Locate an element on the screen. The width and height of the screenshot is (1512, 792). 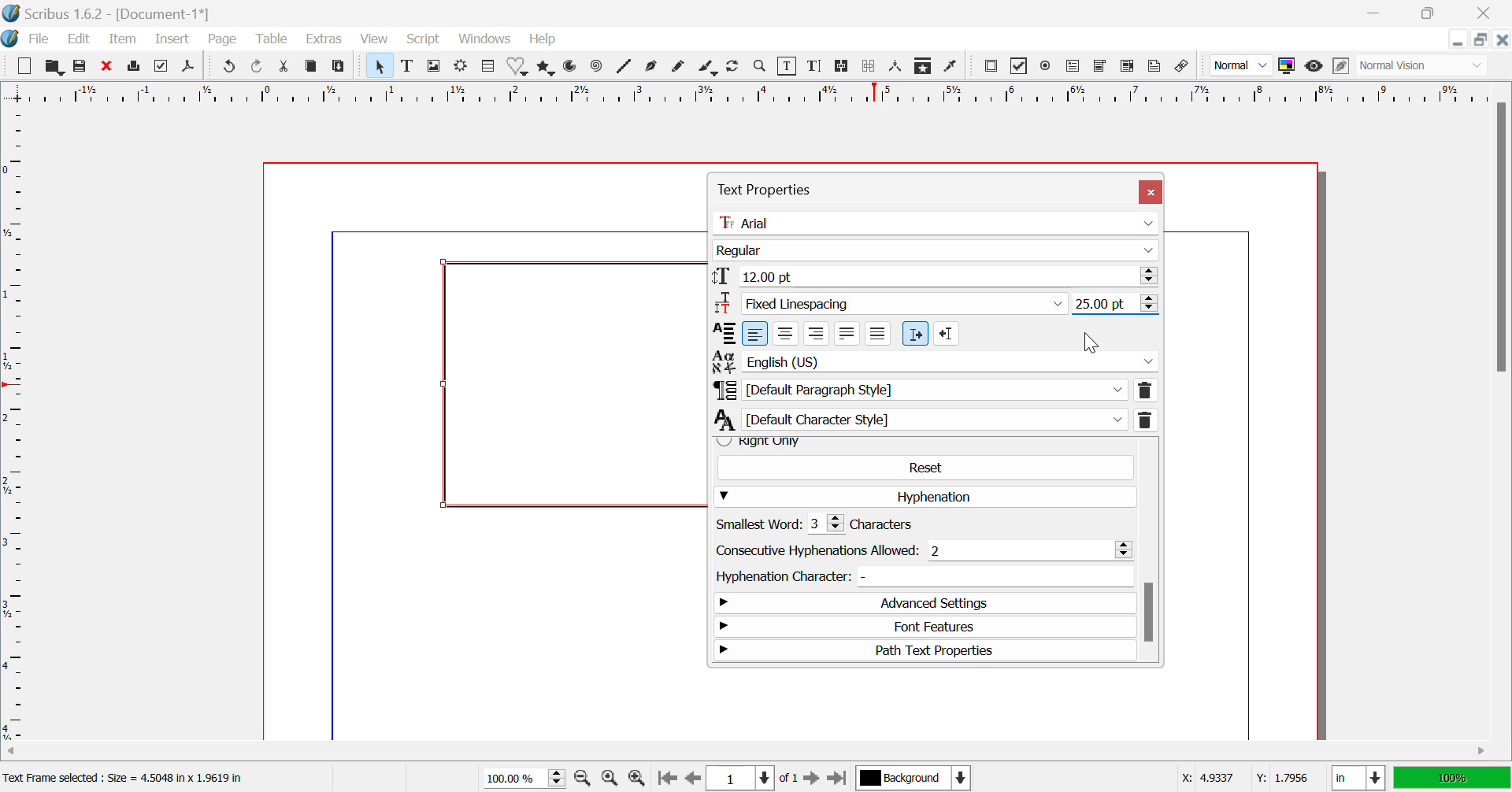
Horizontal Page Margins is located at coordinates (19, 425).